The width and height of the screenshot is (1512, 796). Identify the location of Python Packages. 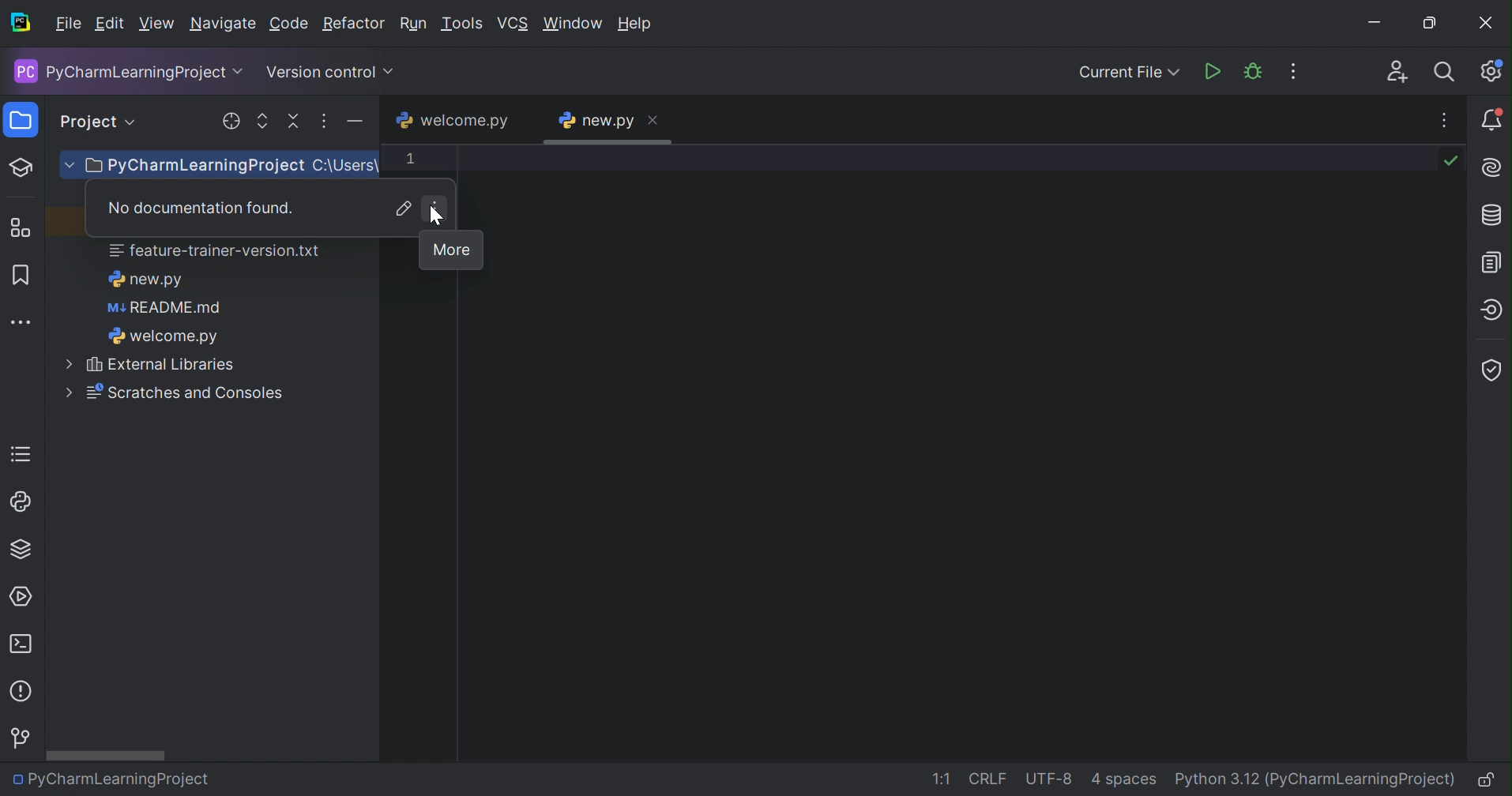
(19, 551).